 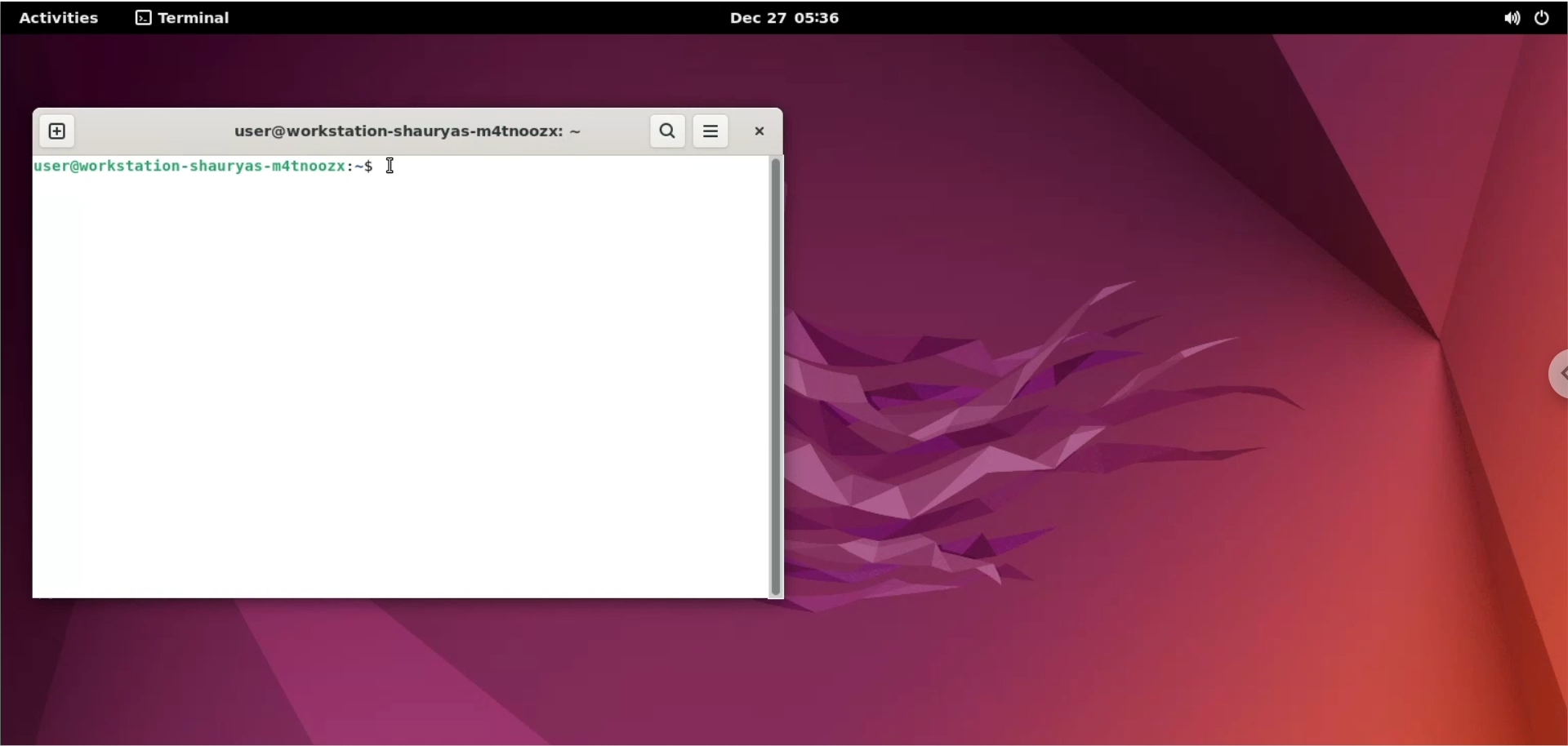 I want to click on scrollbar, so click(x=778, y=377).